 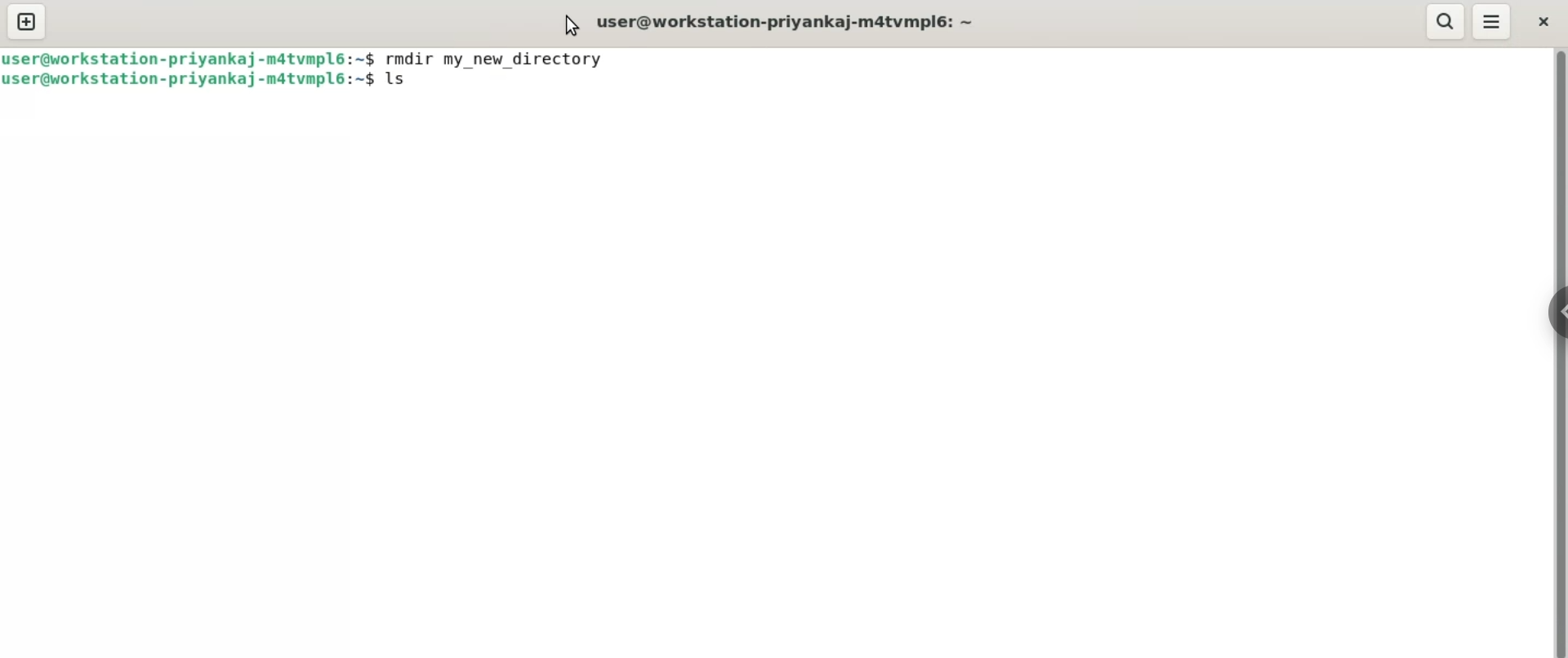 What do you see at coordinates (30, 21) in the screenshot?
I see `new tab` at bounding box center [30, 21].